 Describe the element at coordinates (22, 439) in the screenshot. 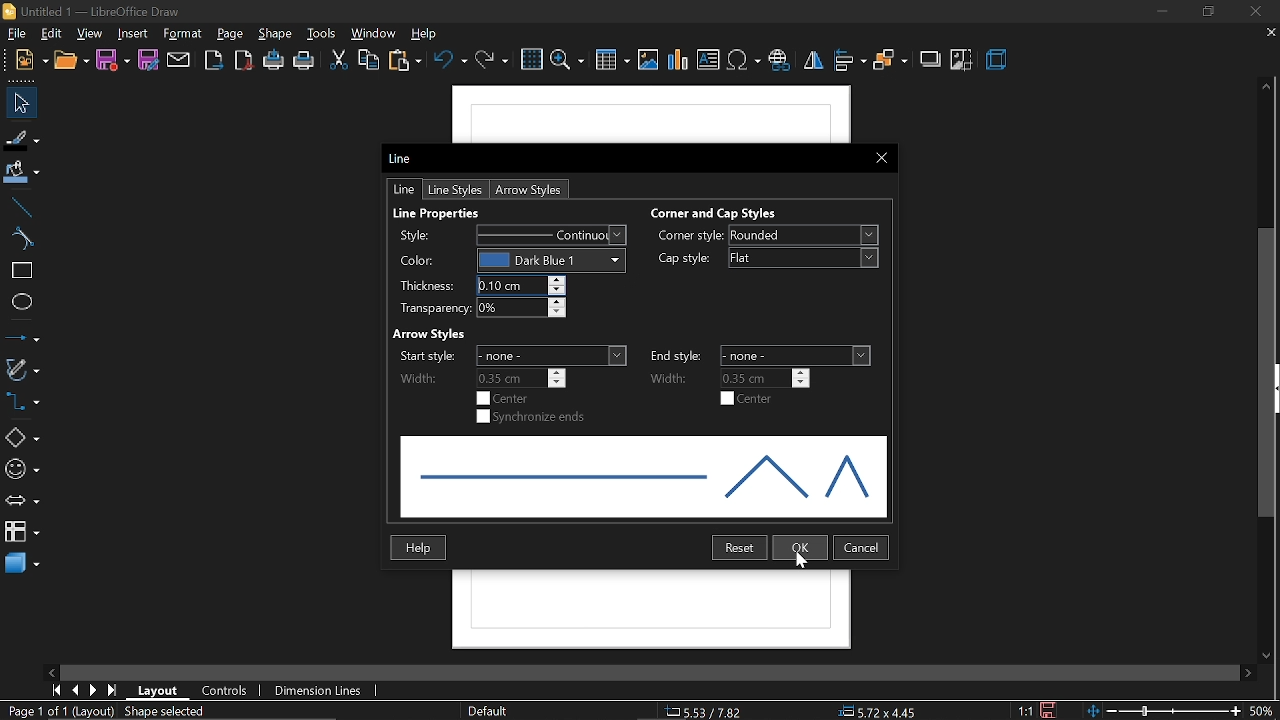

I see `basic shapes` at that location.